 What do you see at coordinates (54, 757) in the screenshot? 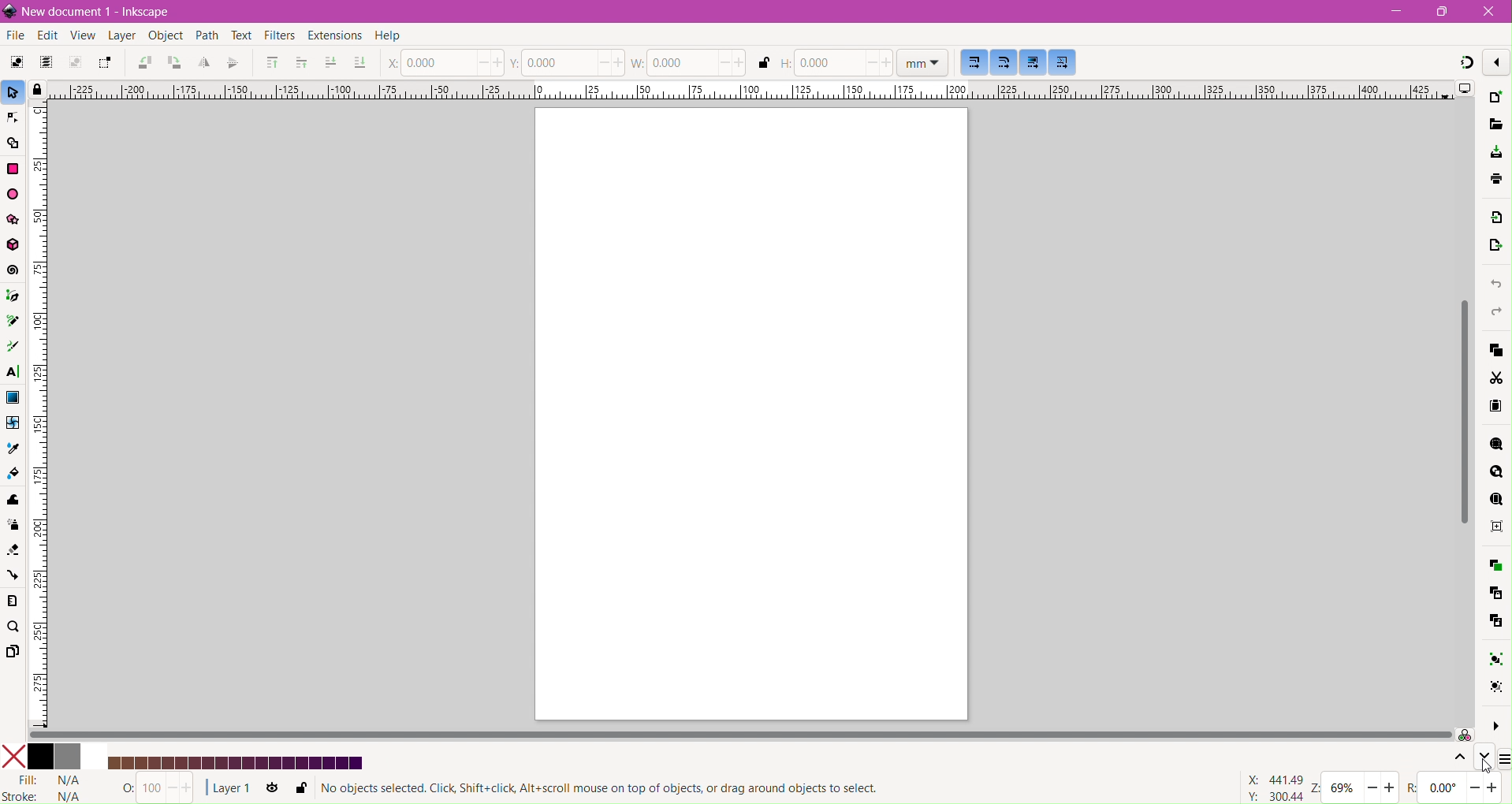
I see `Colors` at bounding box center [54, 757].